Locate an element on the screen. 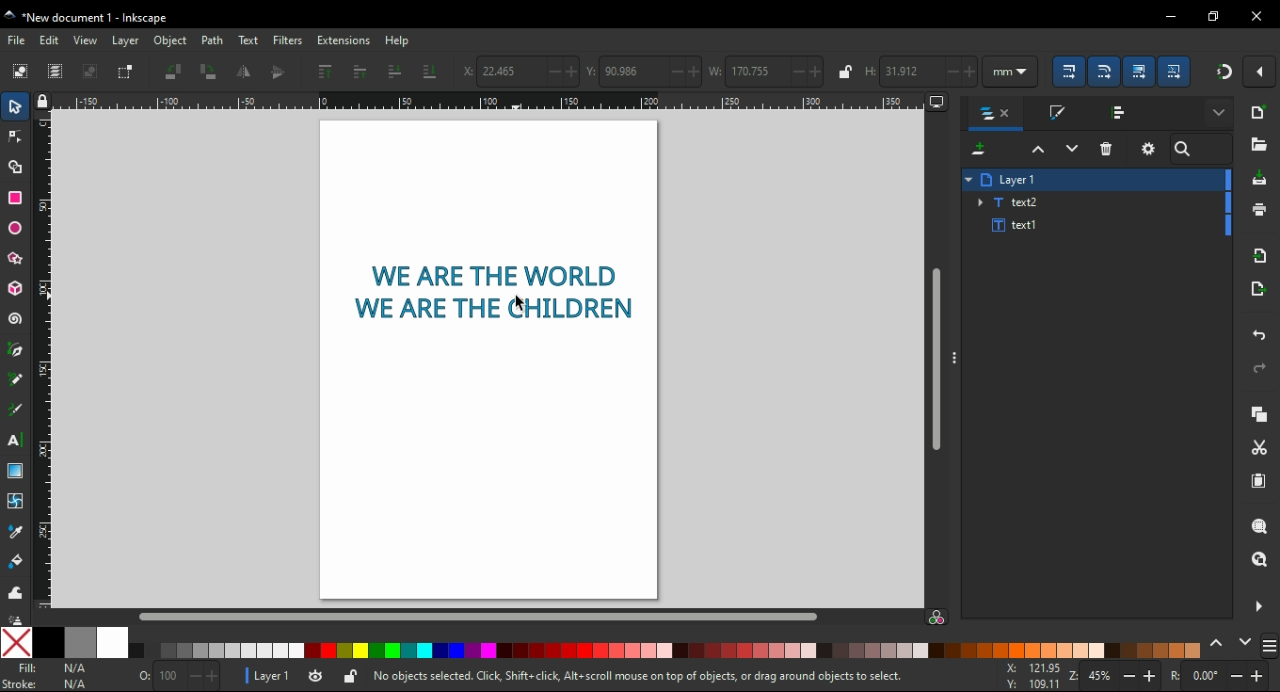 This screenshot has height=692, width=1280. object rotate 90 CCW is located at coordinates (177, 73).